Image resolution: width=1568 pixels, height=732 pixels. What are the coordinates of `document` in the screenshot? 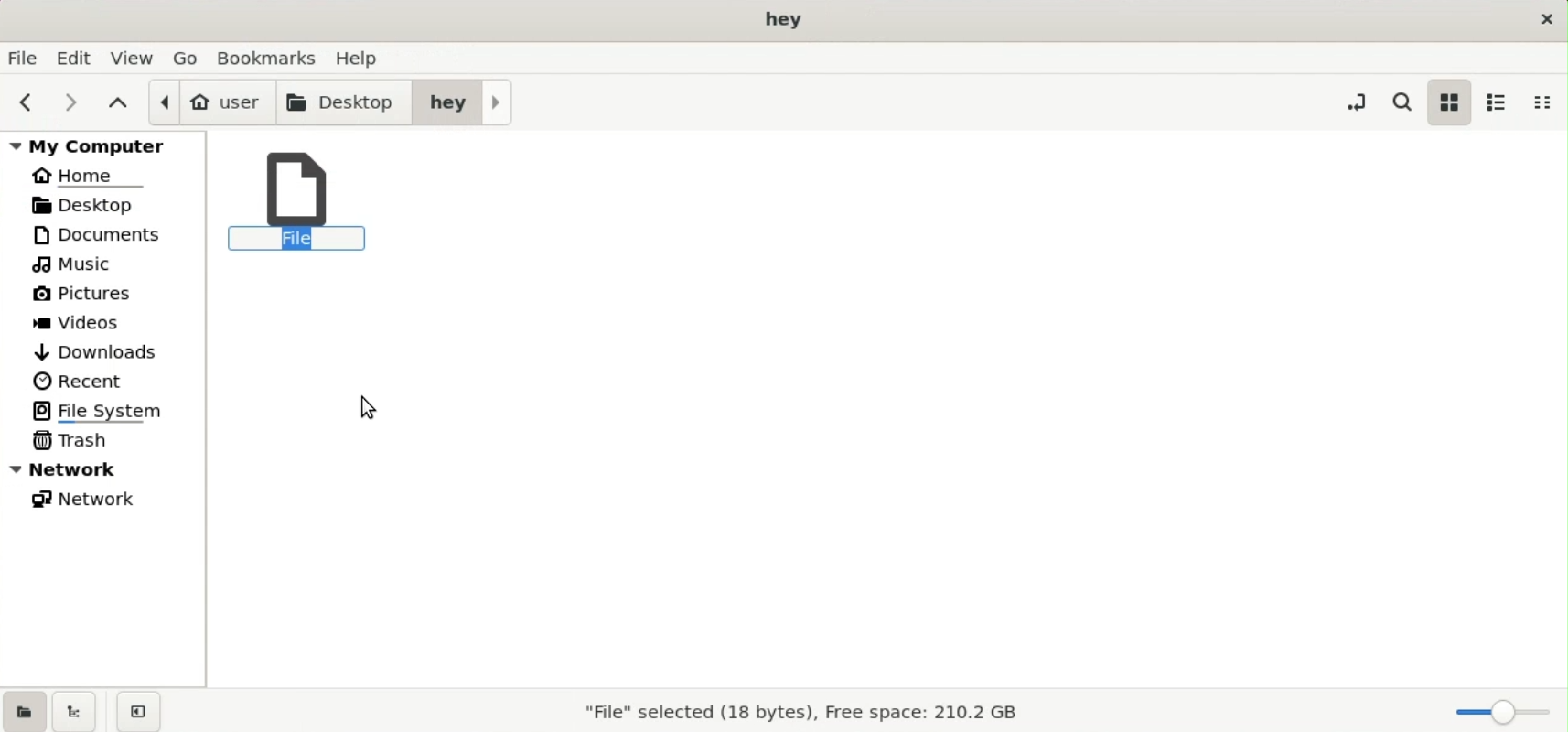 It's located at (110, 234).